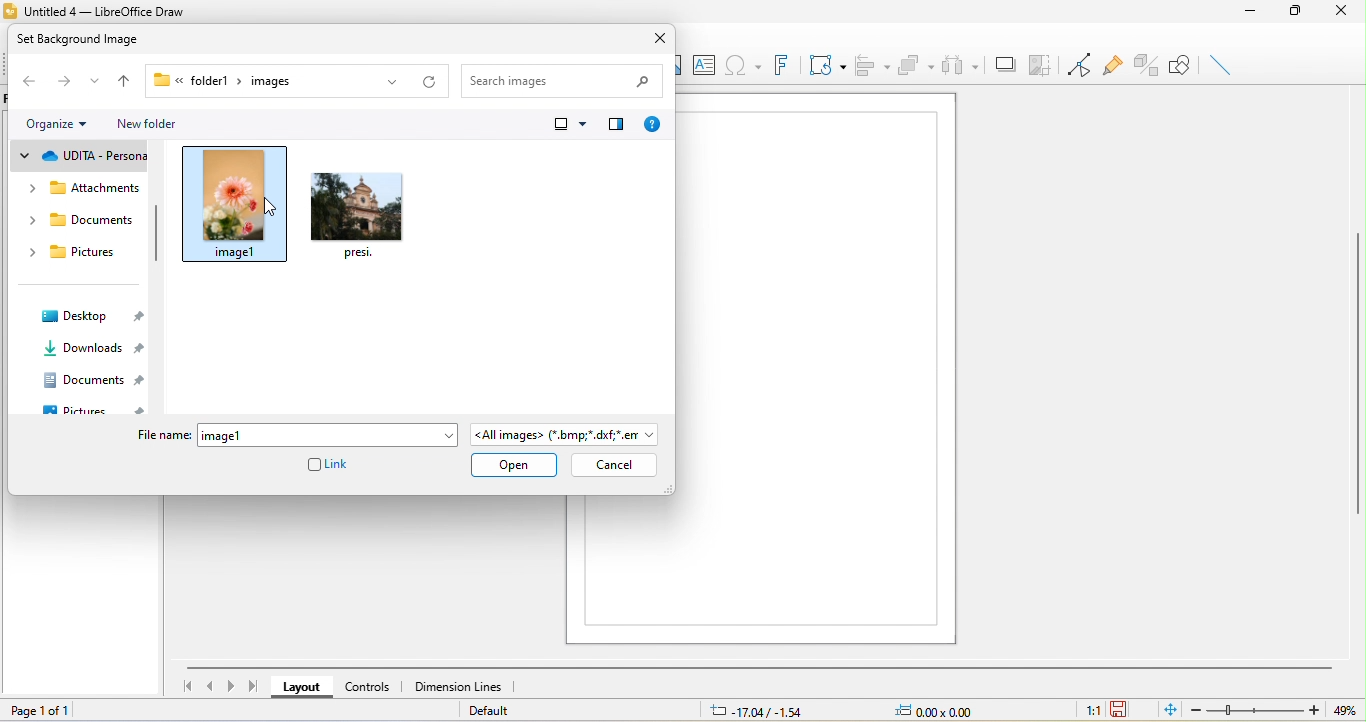 Image resolution: width=1366 pixels, height=722 pixels. What do you see at coordinates (391, 83) in the screenshot?
I see `previous location` at bounding box center [391, 83].